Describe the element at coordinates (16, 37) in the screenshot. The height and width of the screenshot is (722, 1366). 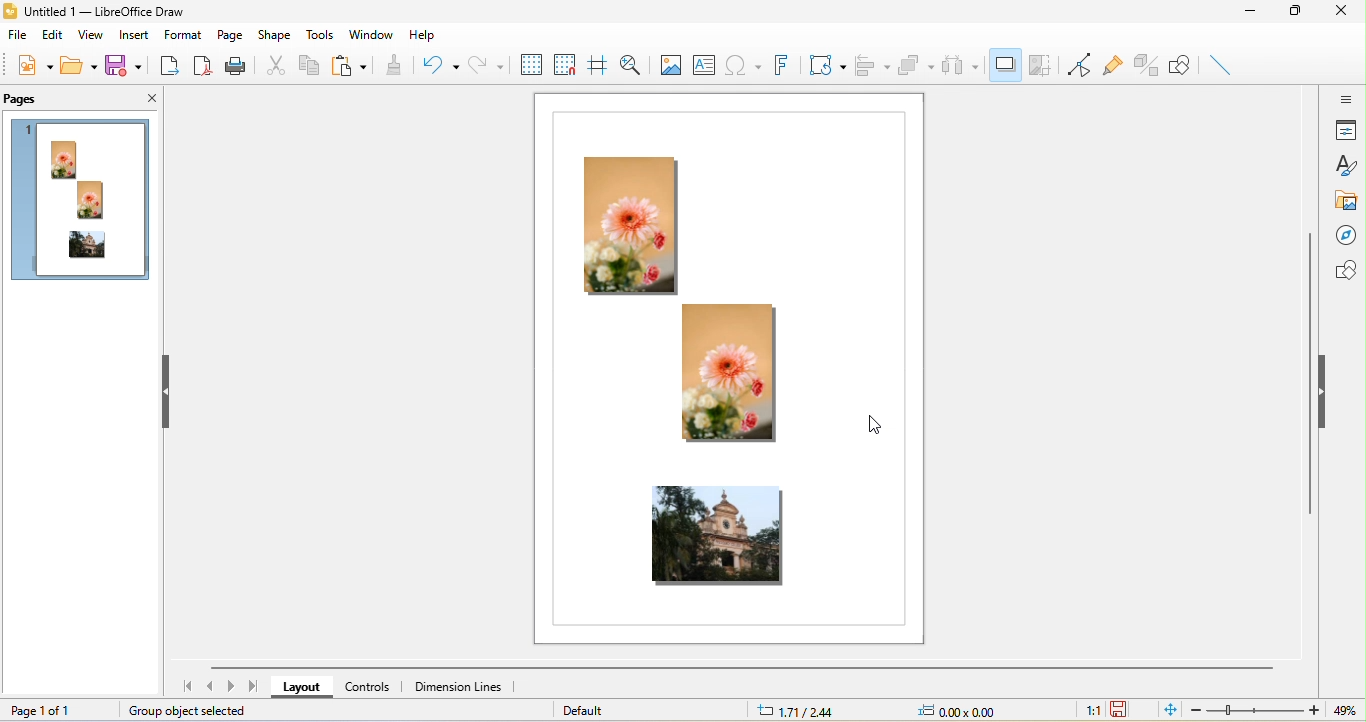
I see `file` at that location.